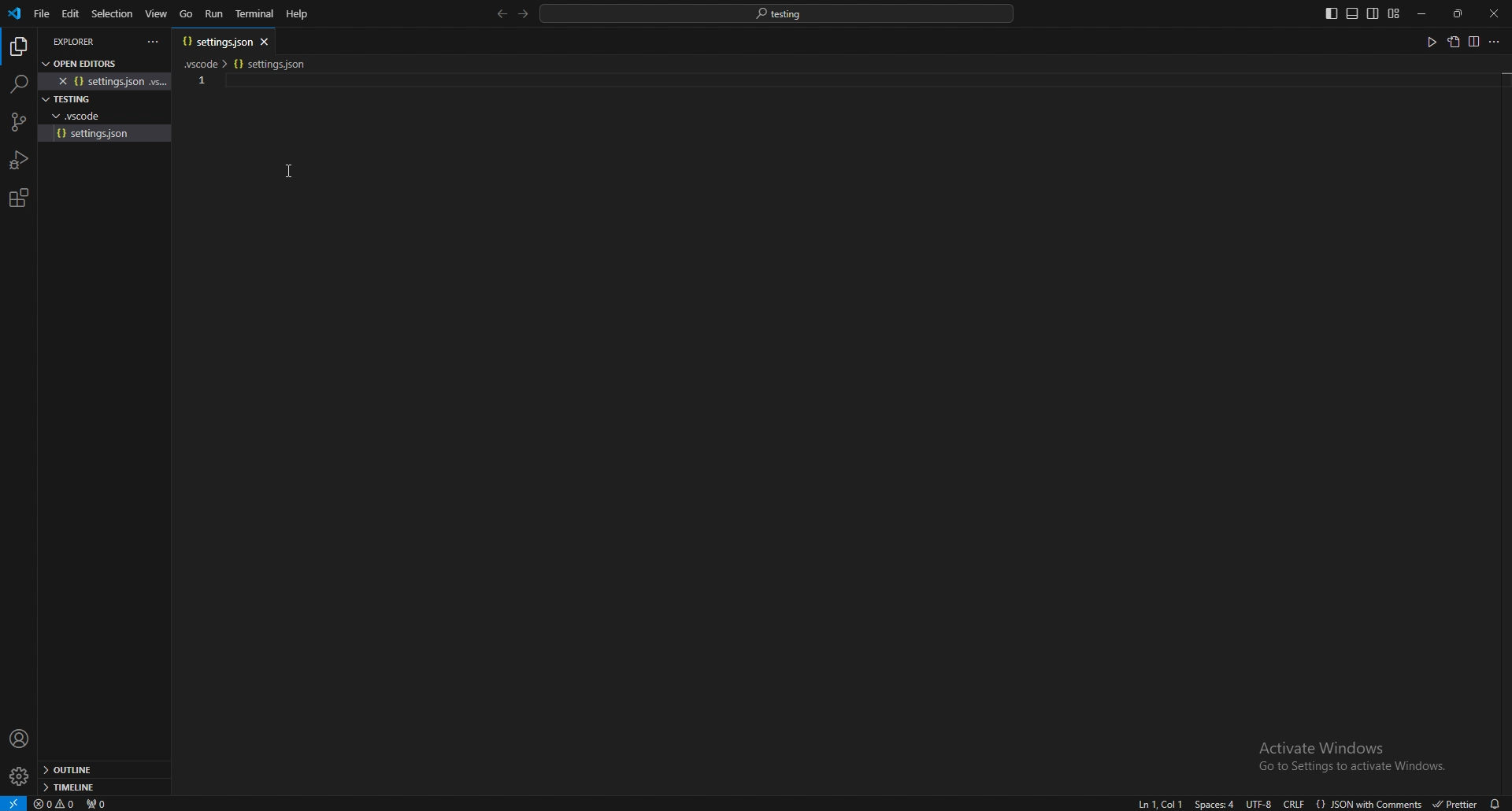  What do you see at coordinates (56, 805) in the screenshot?
I see `errors` at bounding box center [56, 805].